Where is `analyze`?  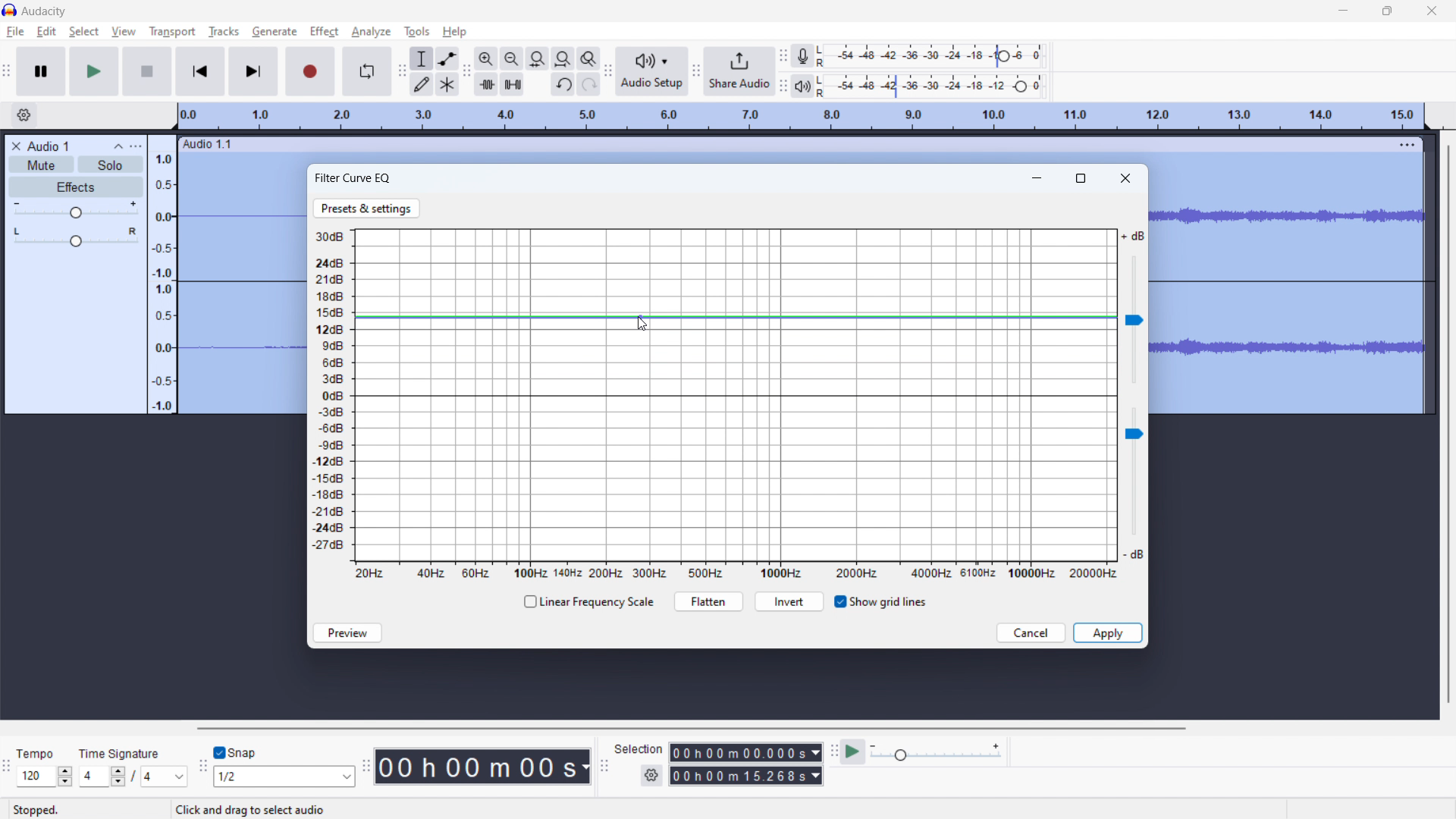 analyze is located at coordinates (371, 33).